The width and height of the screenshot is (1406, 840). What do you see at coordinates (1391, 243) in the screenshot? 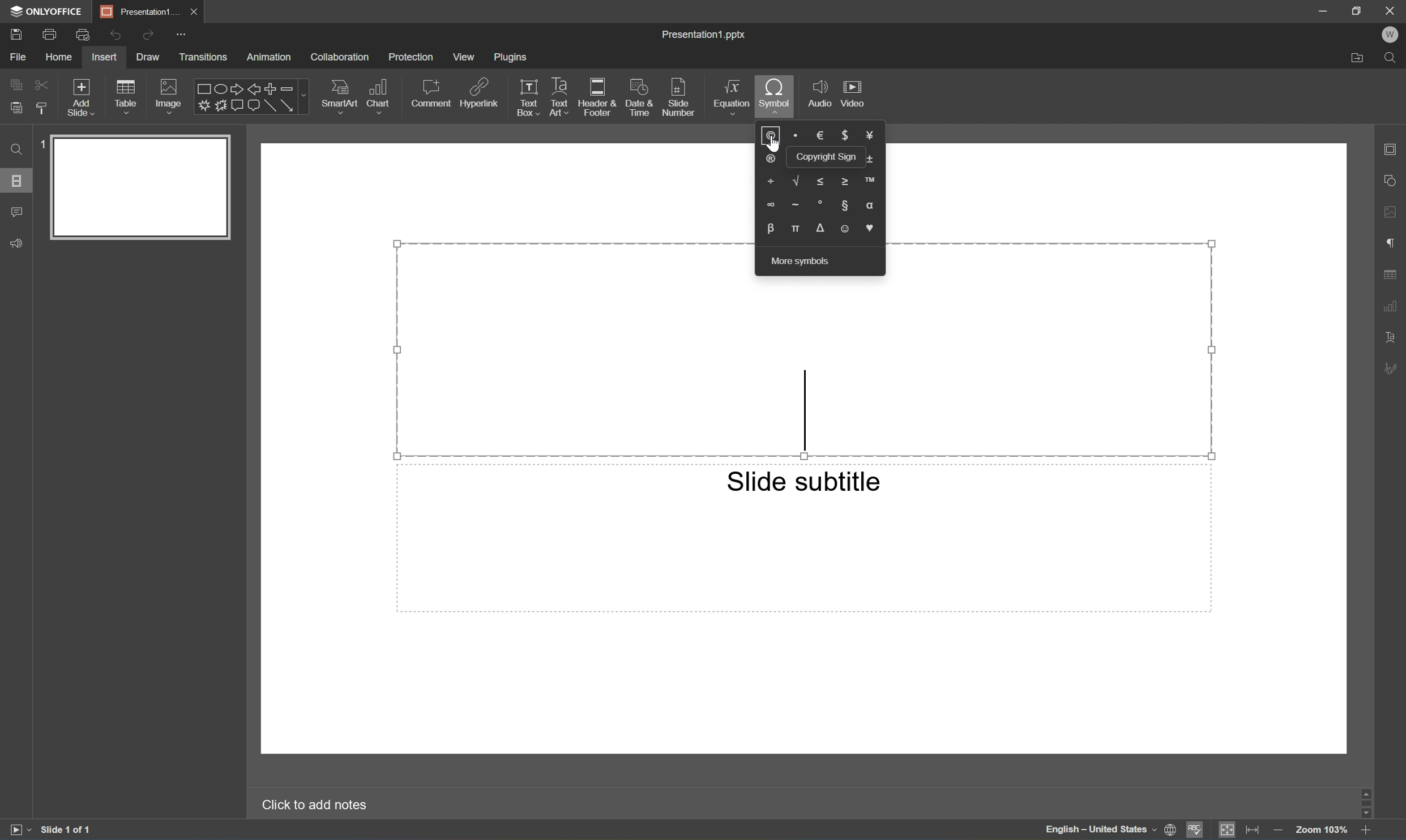
I see `Paragraph settings` at bounding box center [1391, 243].